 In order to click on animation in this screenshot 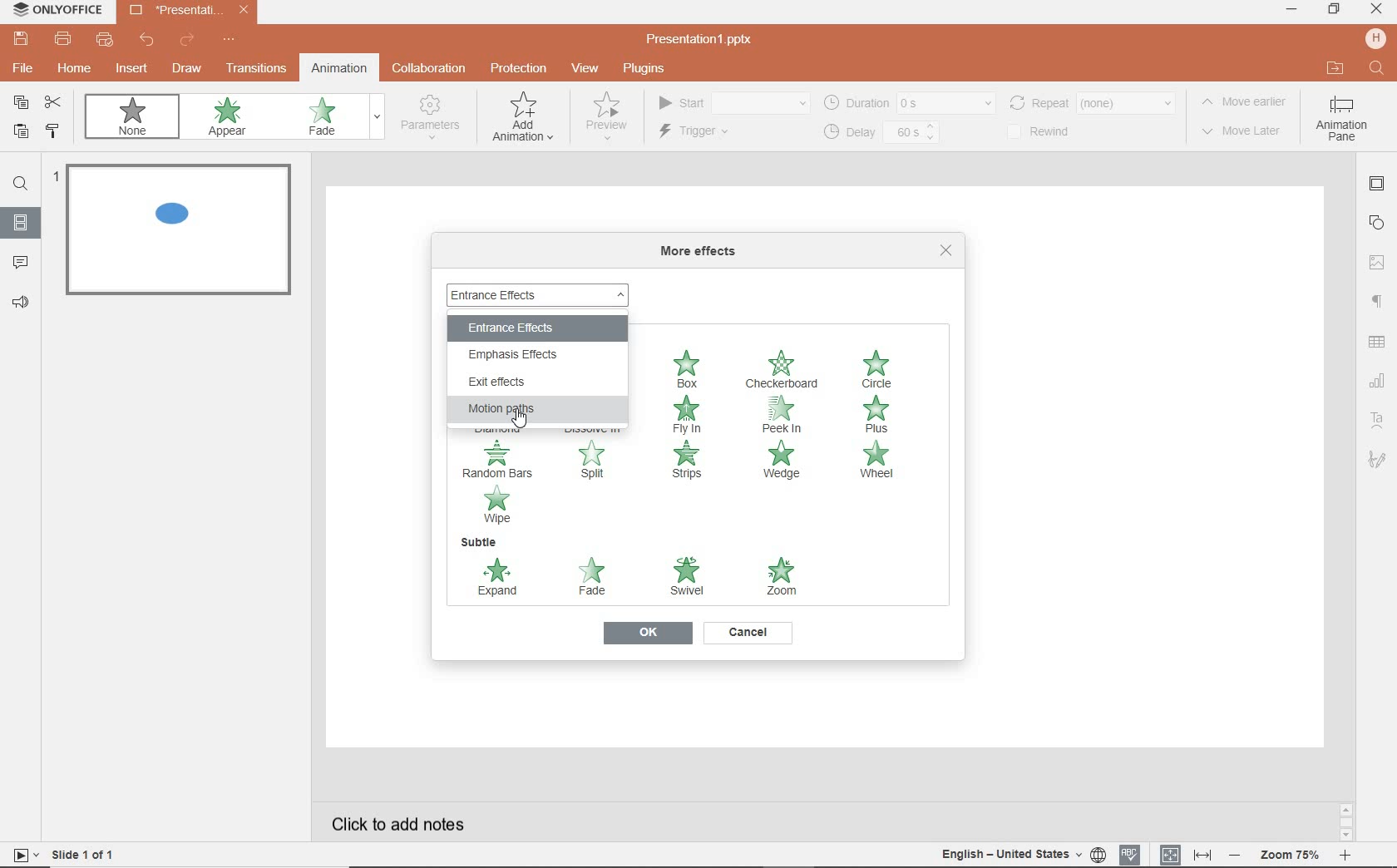, I will do `click(338, 67)`.